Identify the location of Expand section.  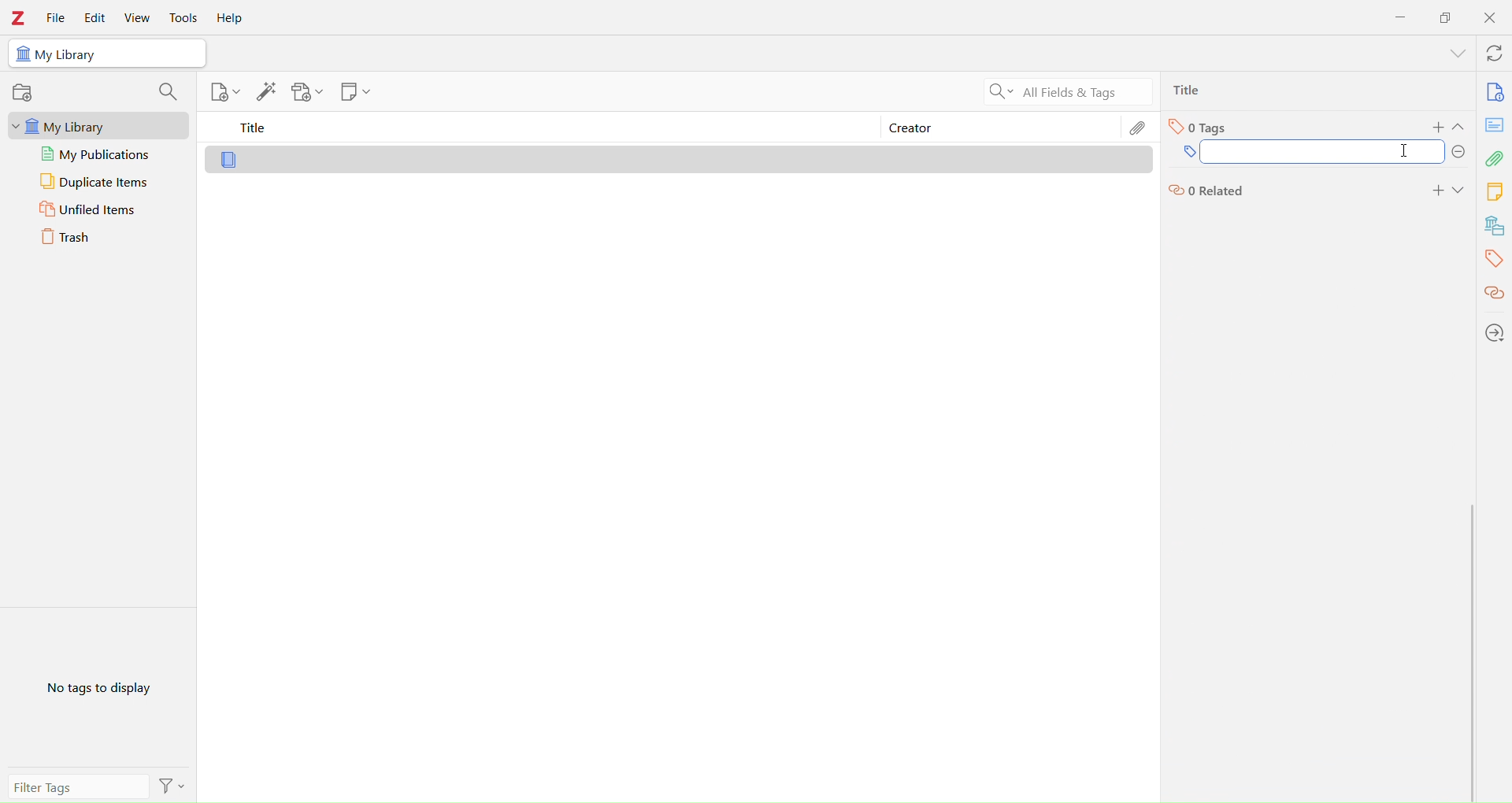
(1462, 132).